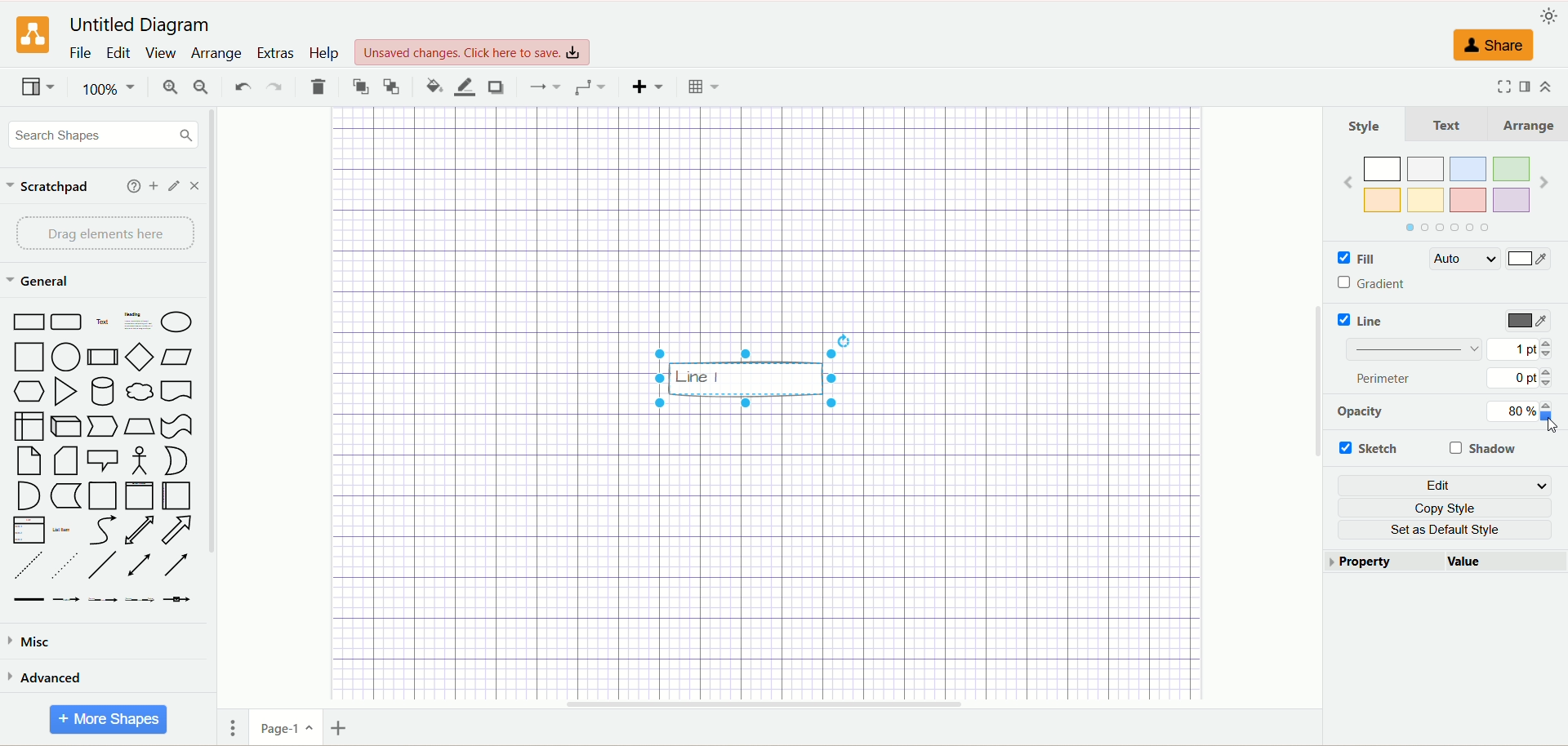 This screenshot has height=746, width=1568. I want to click on to back, so click(393, 87).